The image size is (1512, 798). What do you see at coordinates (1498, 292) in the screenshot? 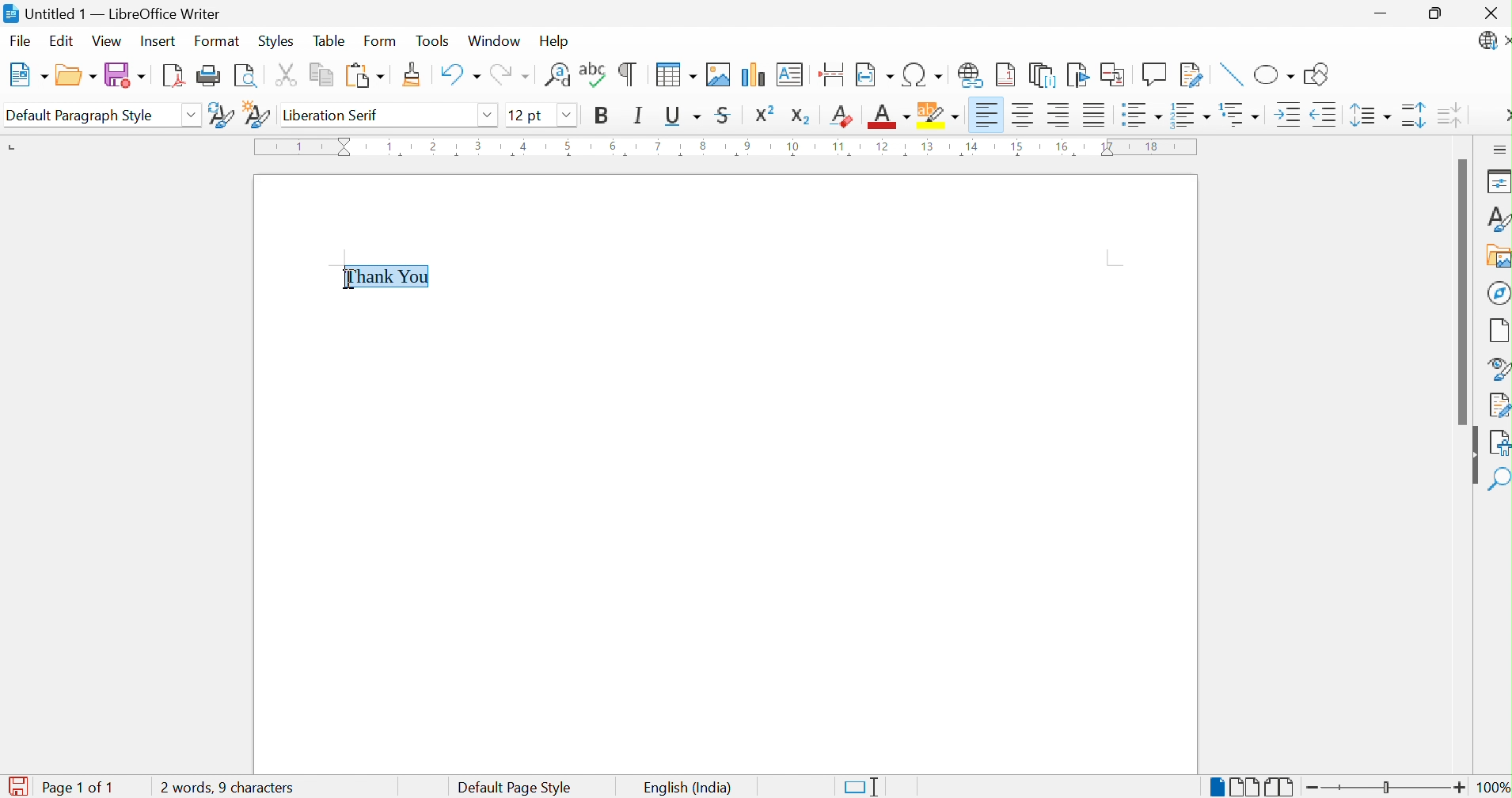
I see `Navigator` at bounding box center [1498, 292].